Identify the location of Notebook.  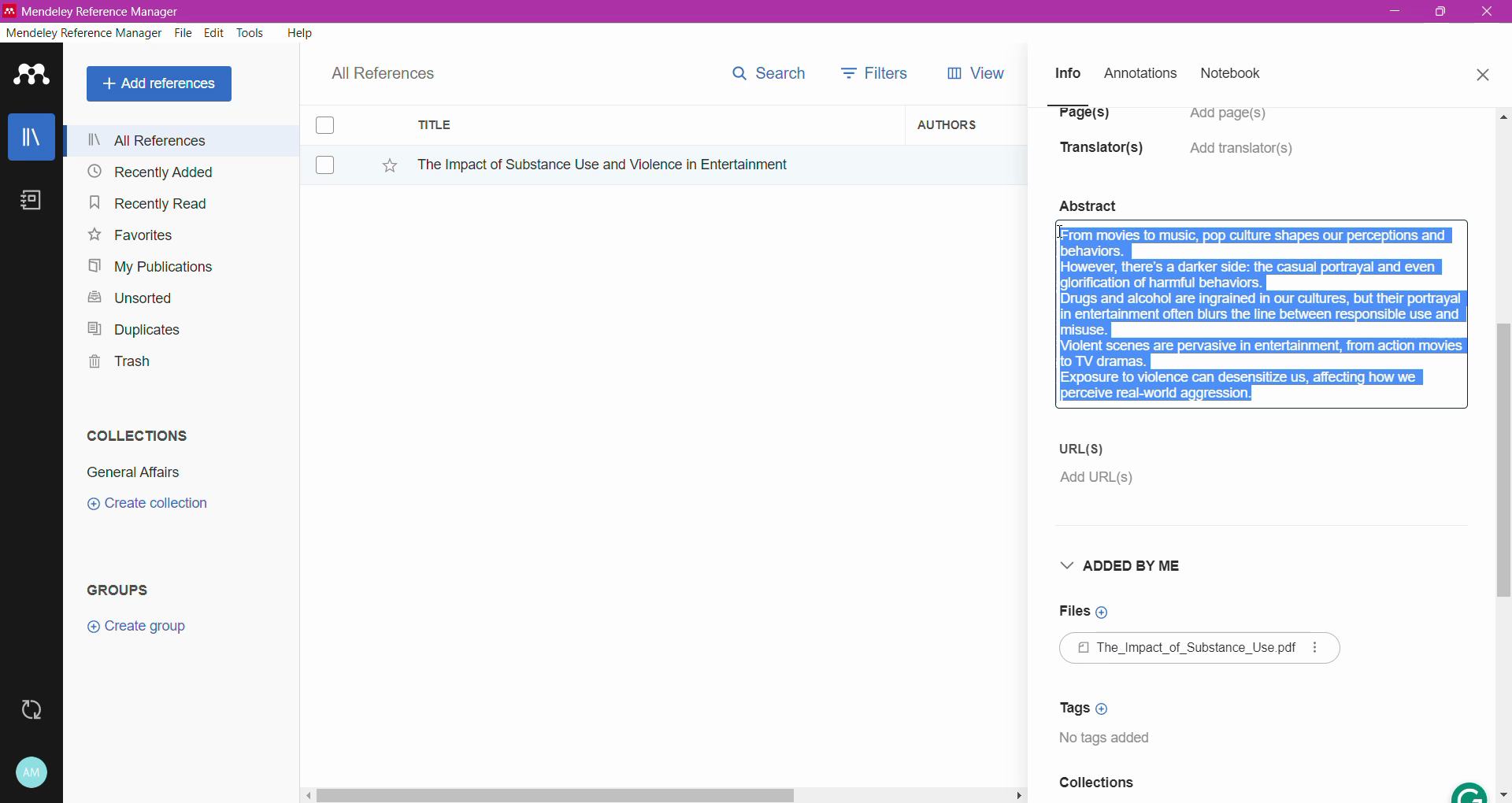
(1236, 75).